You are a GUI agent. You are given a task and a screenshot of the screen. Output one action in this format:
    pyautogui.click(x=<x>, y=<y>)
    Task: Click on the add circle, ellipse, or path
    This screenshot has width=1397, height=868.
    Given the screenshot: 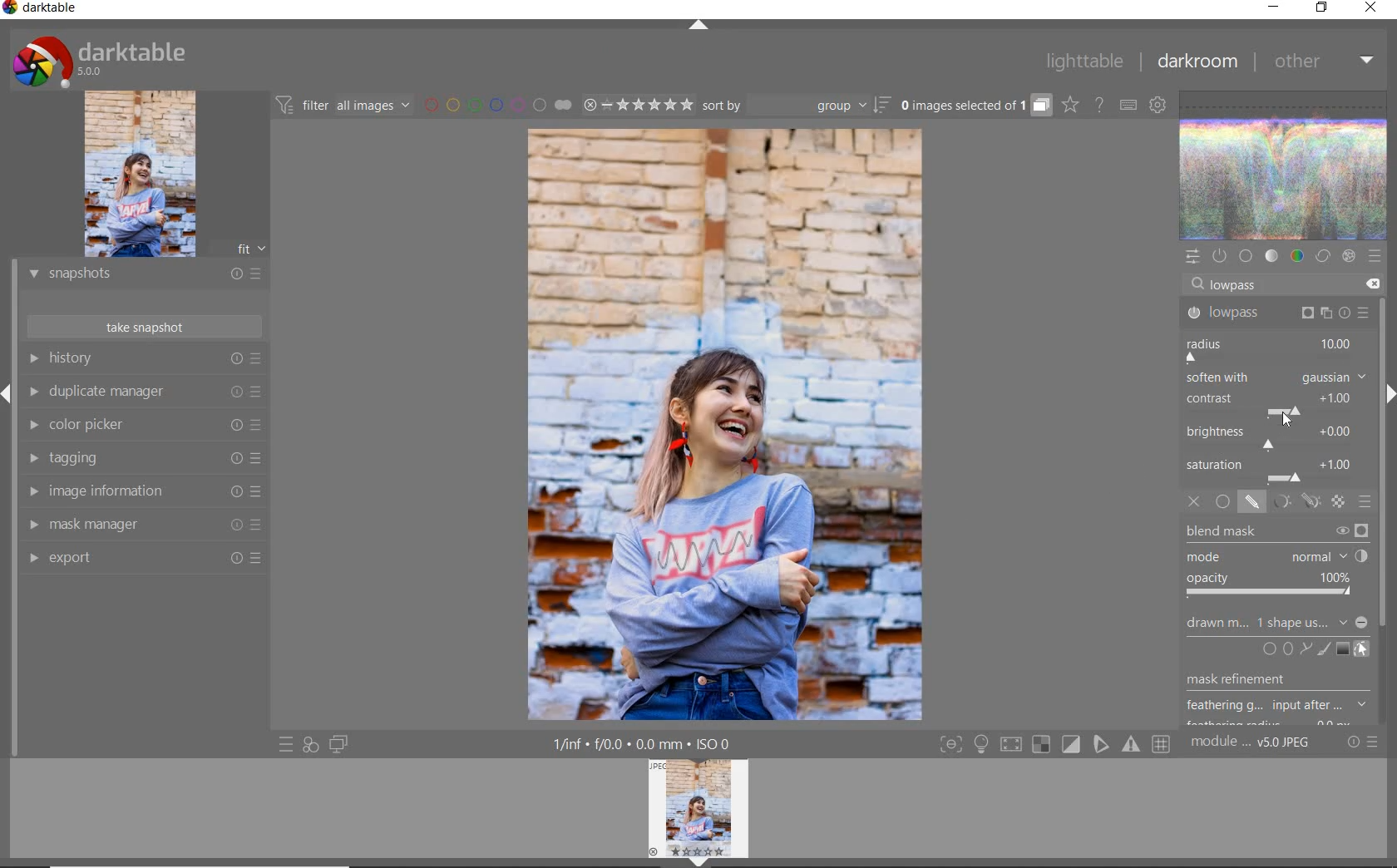 What is the action you would take?
    pyautogui.click(x=1287, y=650)
    